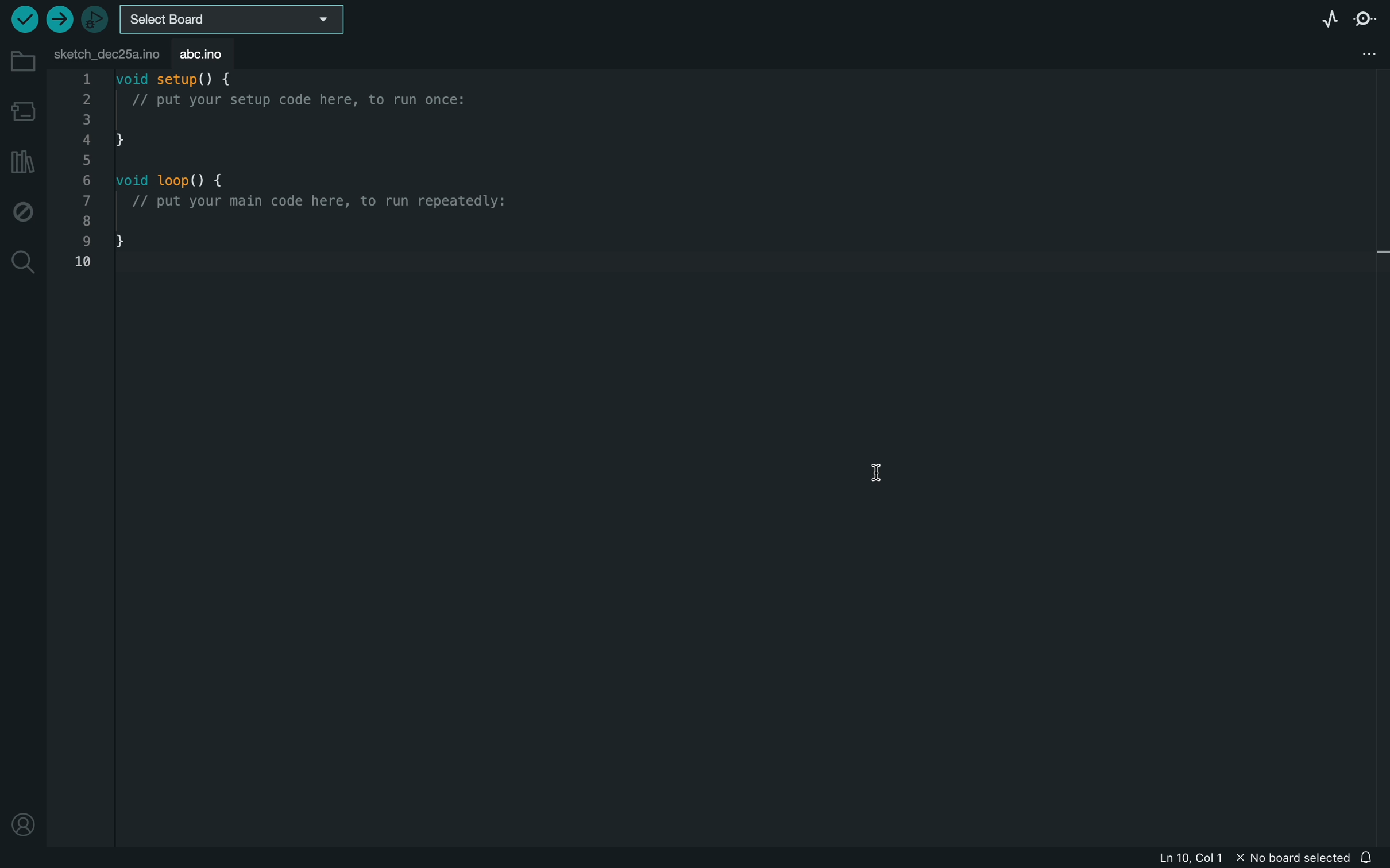 The image size is (1390, 868). Describe the element at coordinates (237, 19) in the screenshot. I see `board selecter` at that location.